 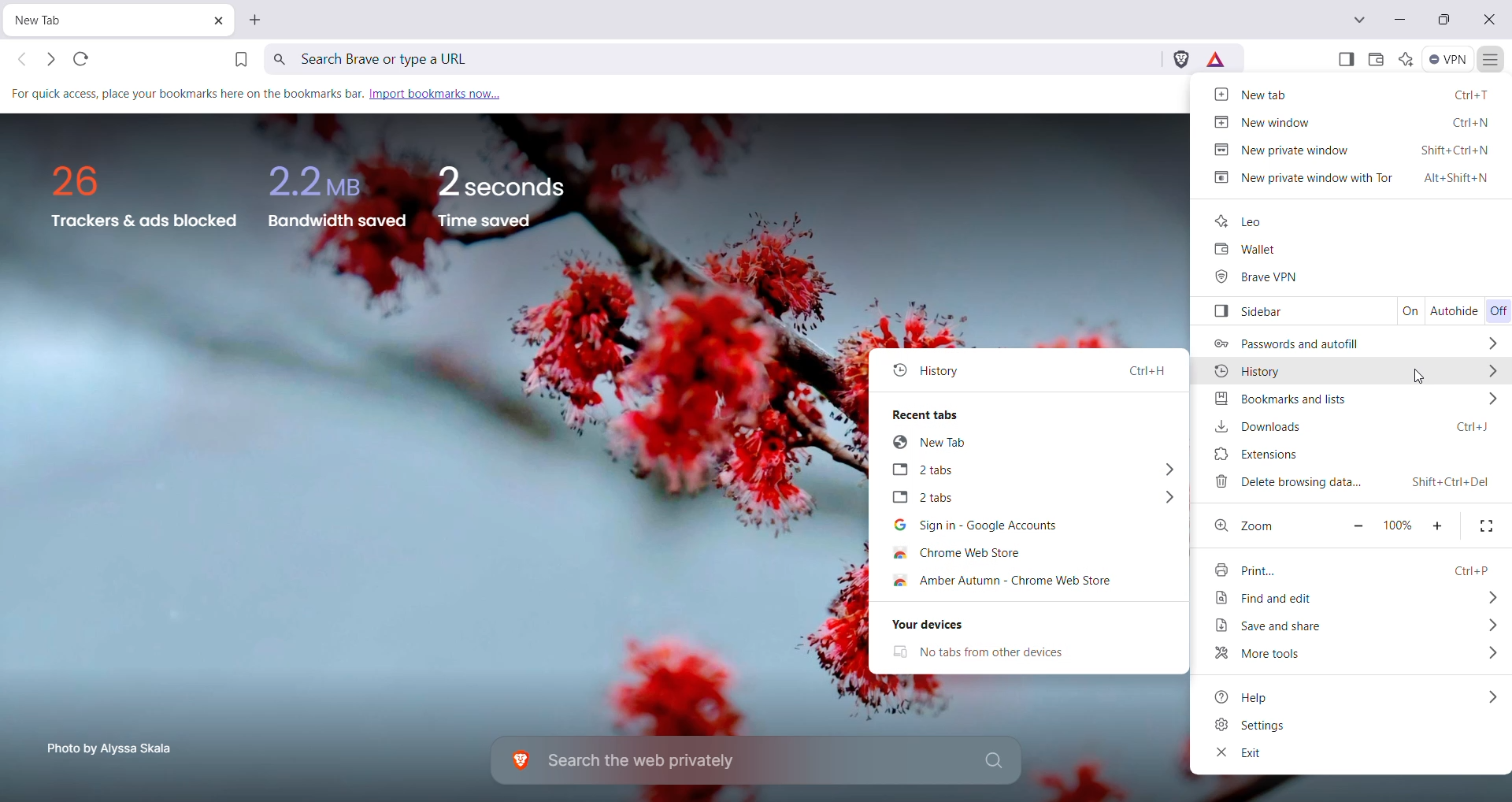 What do you see at coordinates (1405, 59) in the screenshot?
I see `Leo AI` at bounding box center [1405, 59].